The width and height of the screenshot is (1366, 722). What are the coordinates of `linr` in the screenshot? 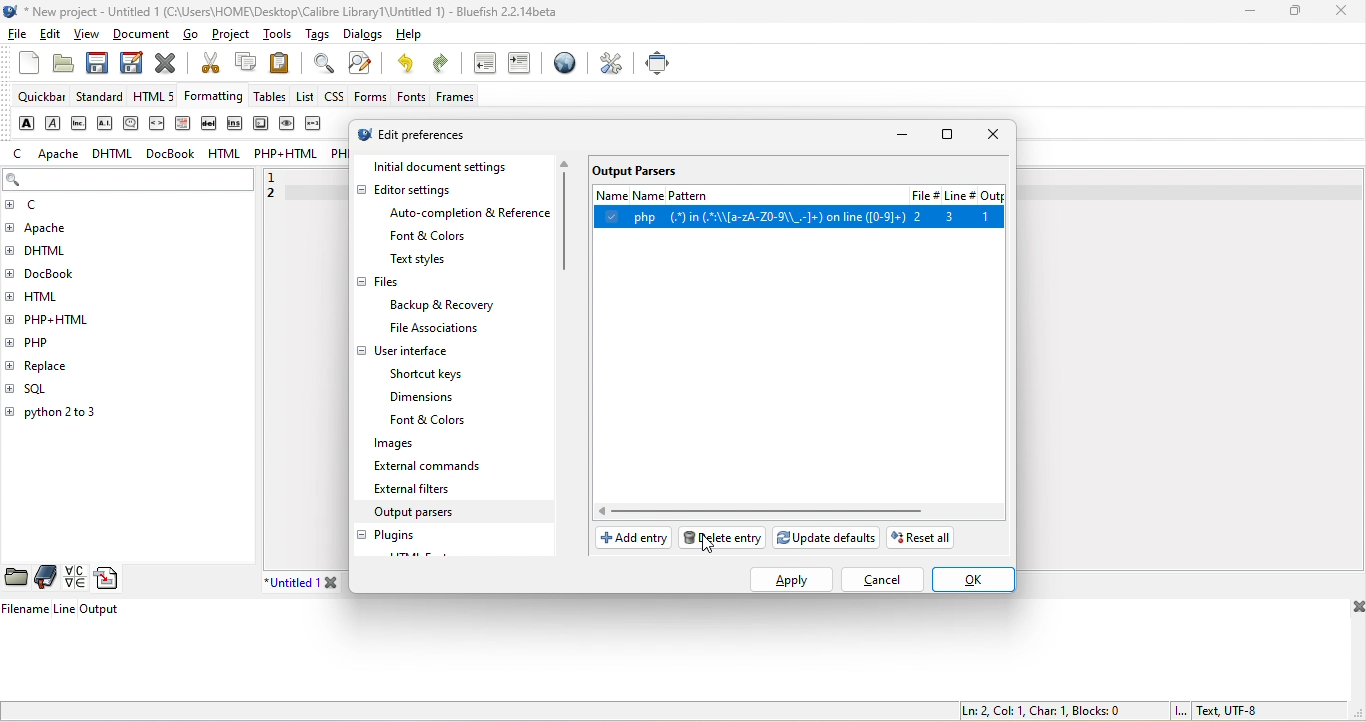 It's located at (959, 197).